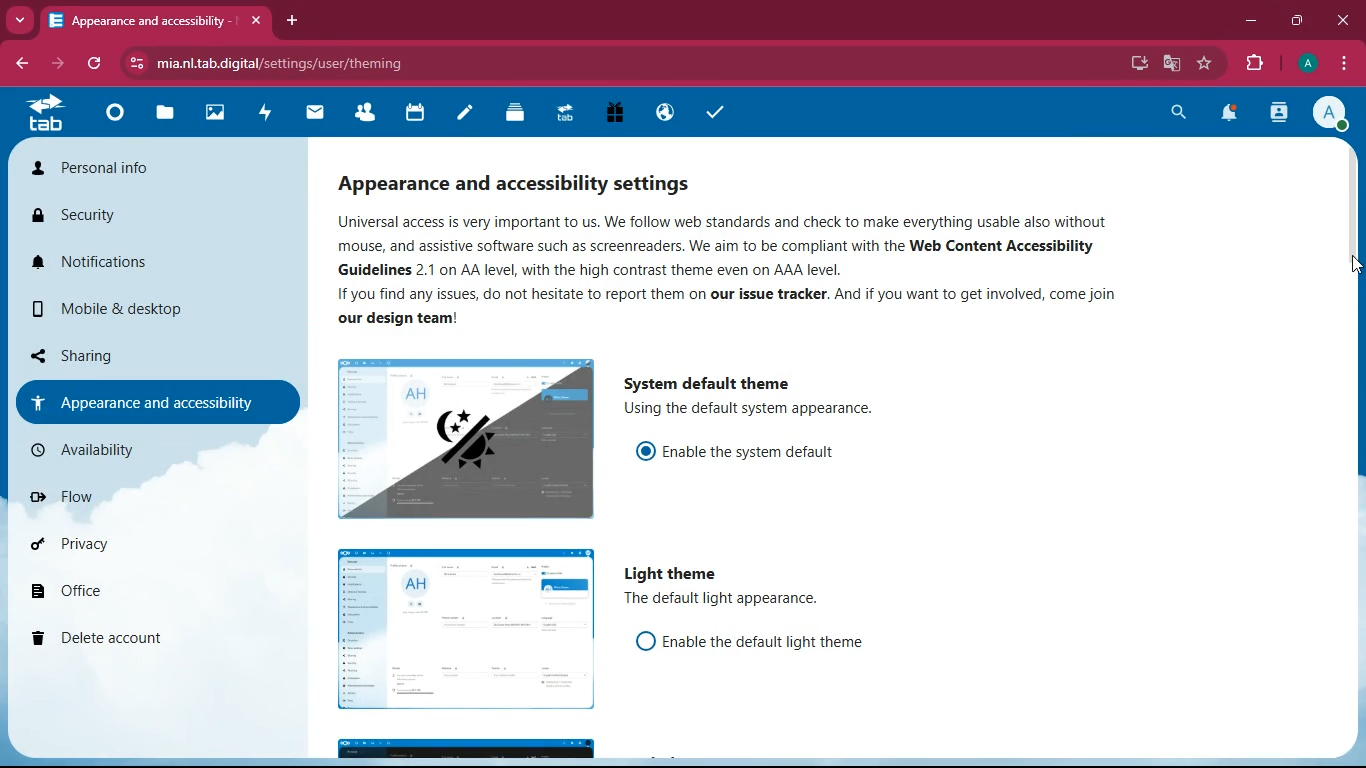  What do you see at coordinates (527, 182) in the screenshot?
I see `appearance` at bounding box center [527, 182].